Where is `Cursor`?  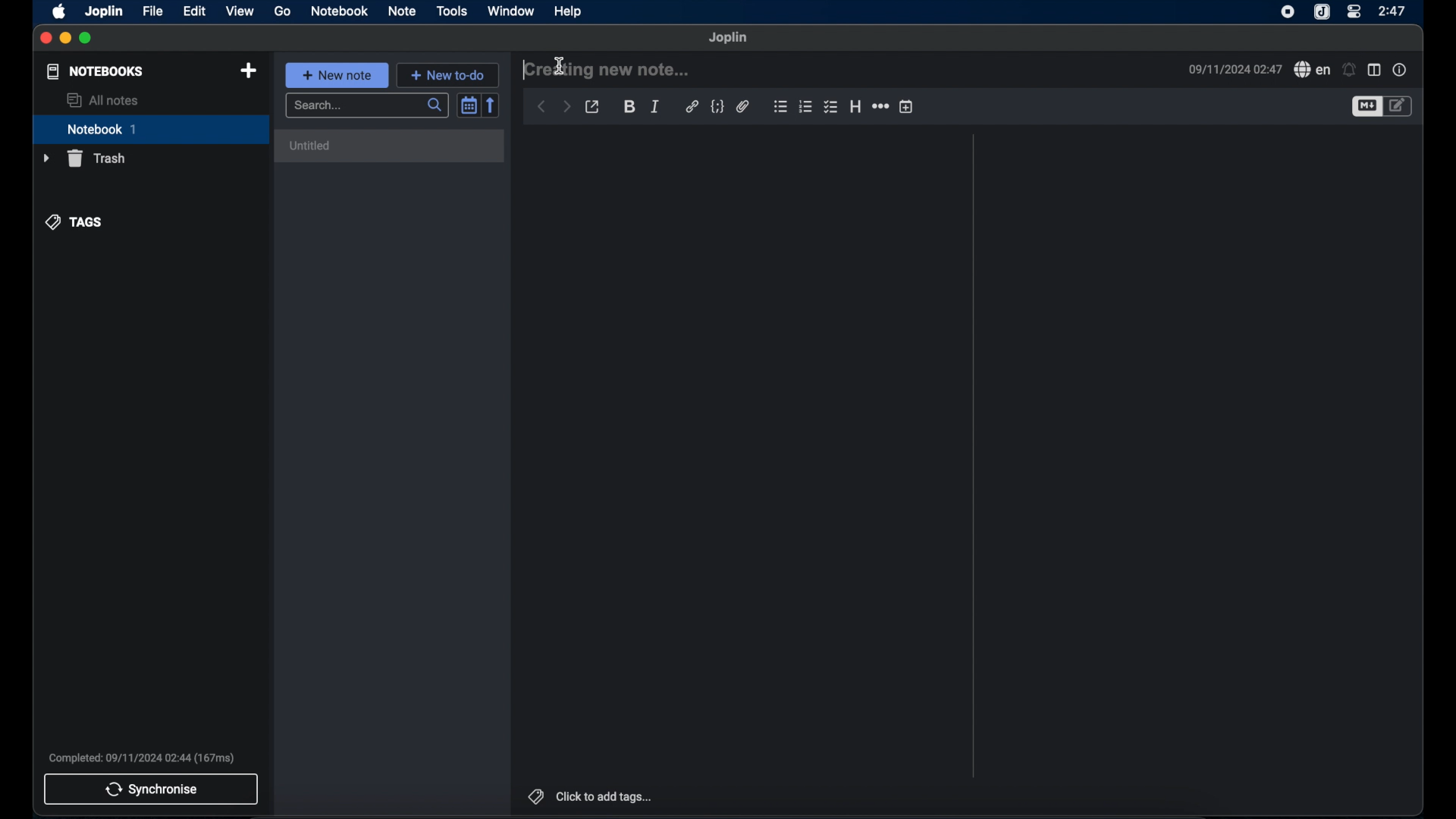
Cursor is located at coordinates (560, 62).